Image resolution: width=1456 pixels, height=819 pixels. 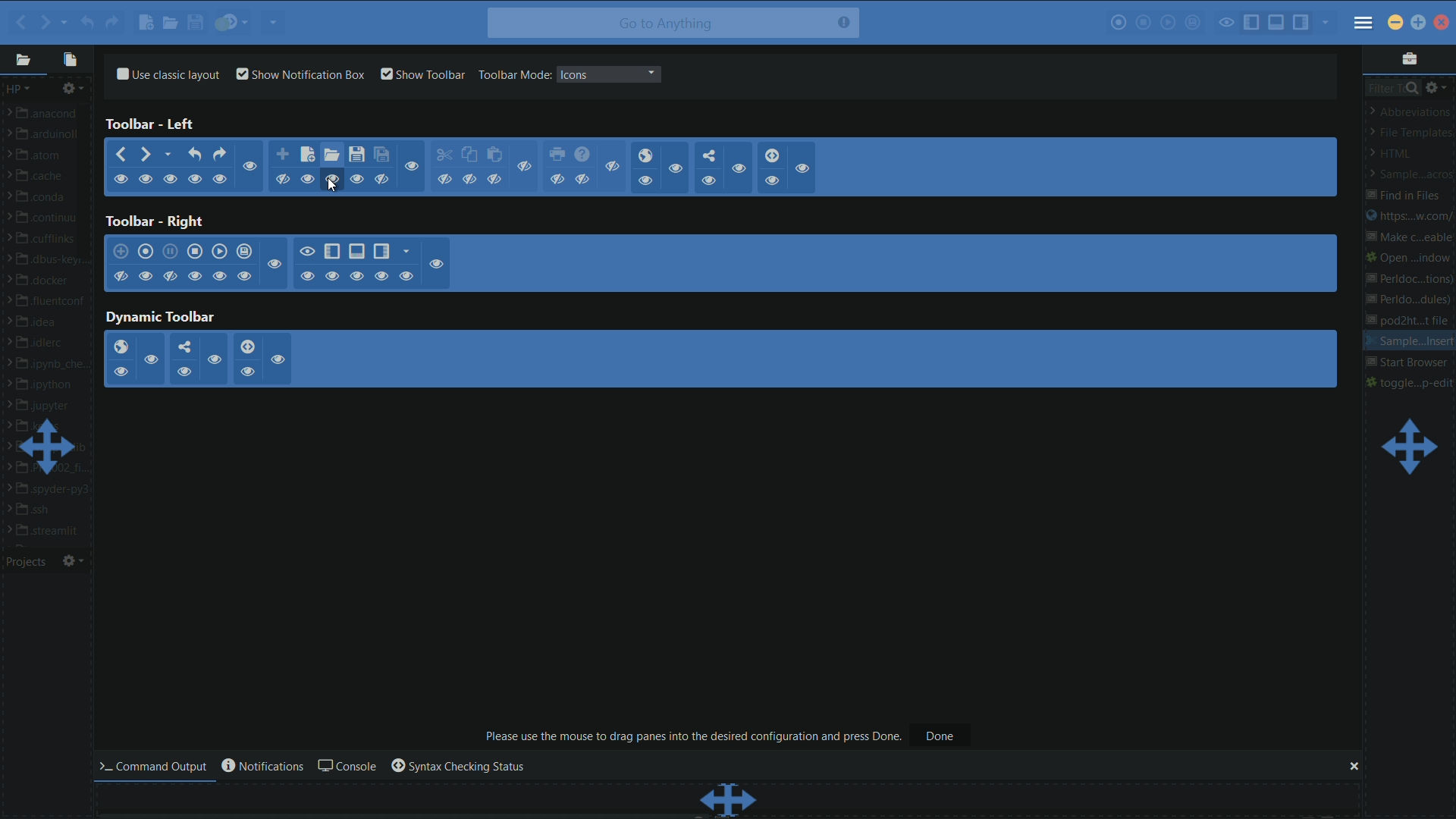 What do you see at coordinates (1410, 257) in the screenshot?
I see `open window` at bounding box center [1410, 257].